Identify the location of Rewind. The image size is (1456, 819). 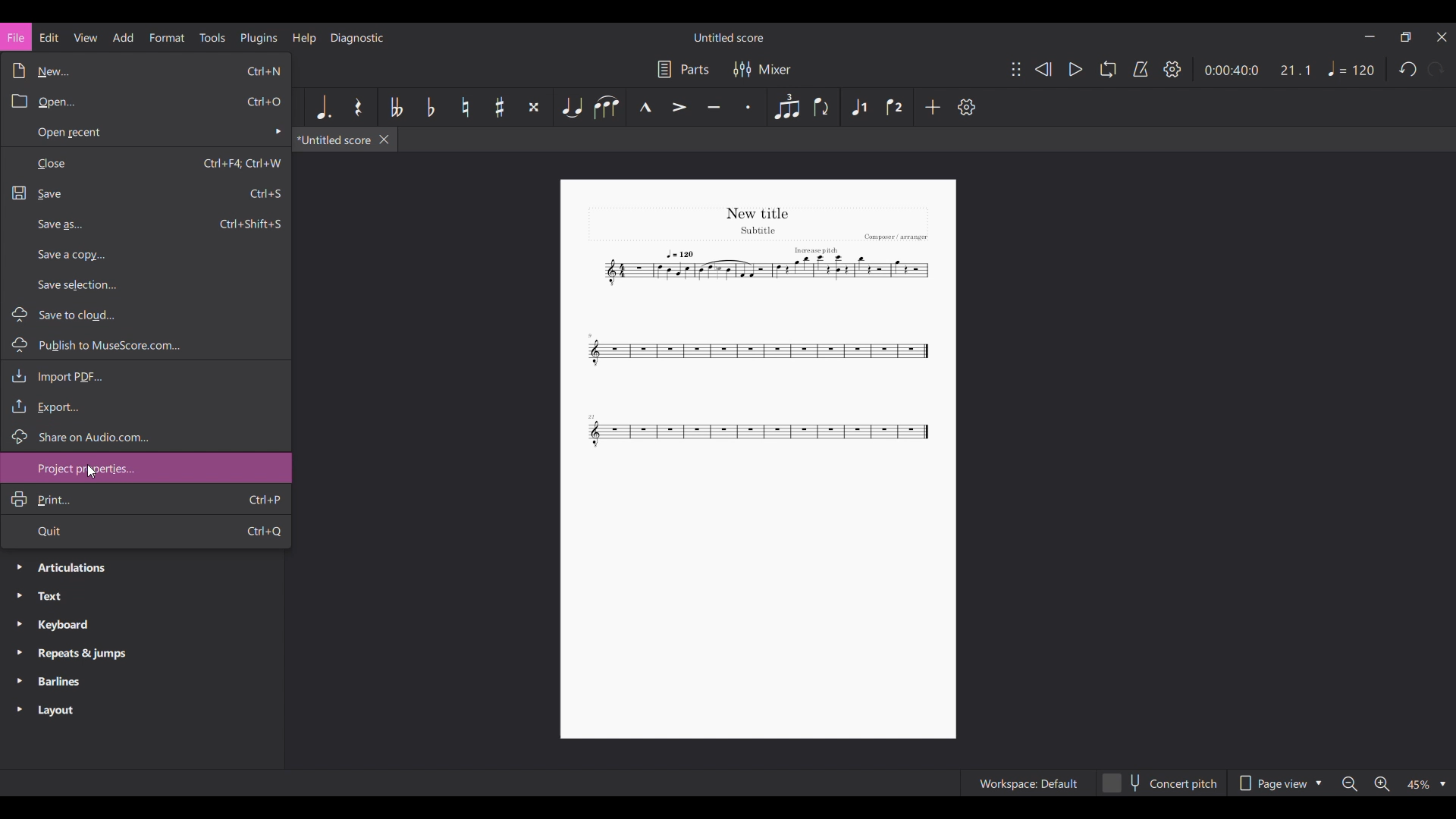
(1043, 69).